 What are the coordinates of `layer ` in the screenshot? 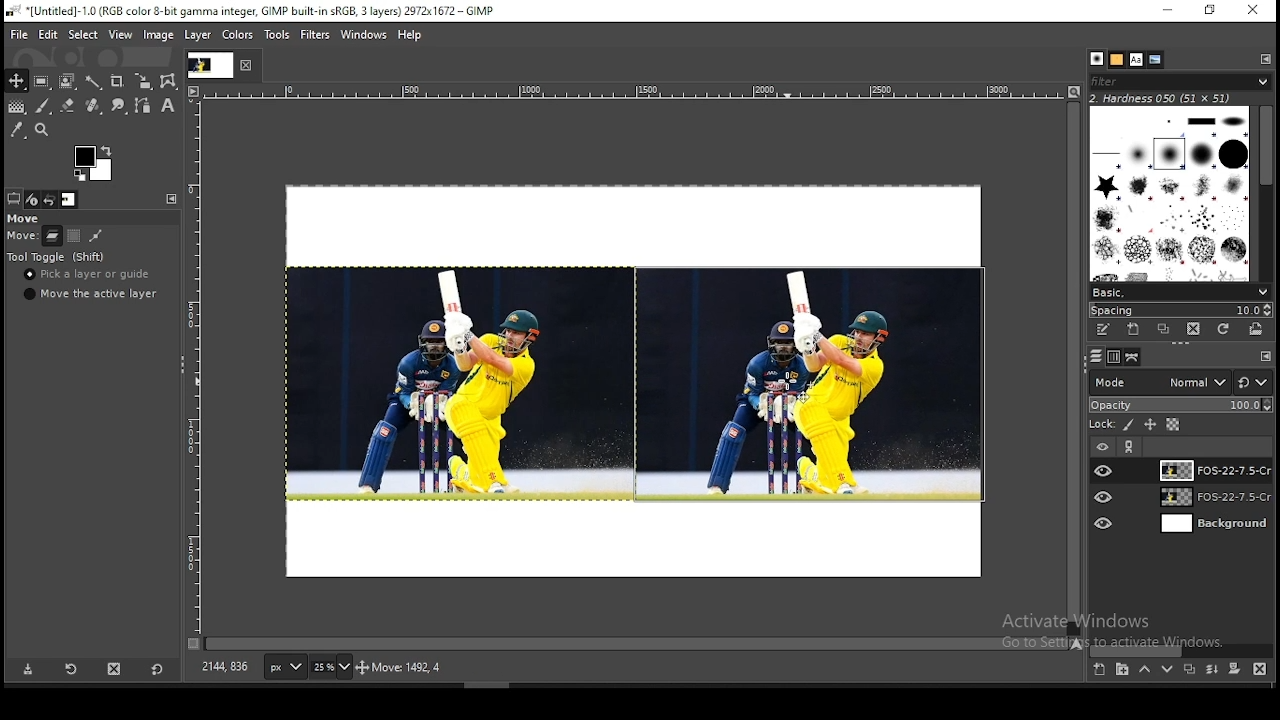 It's located at (1212, 499).